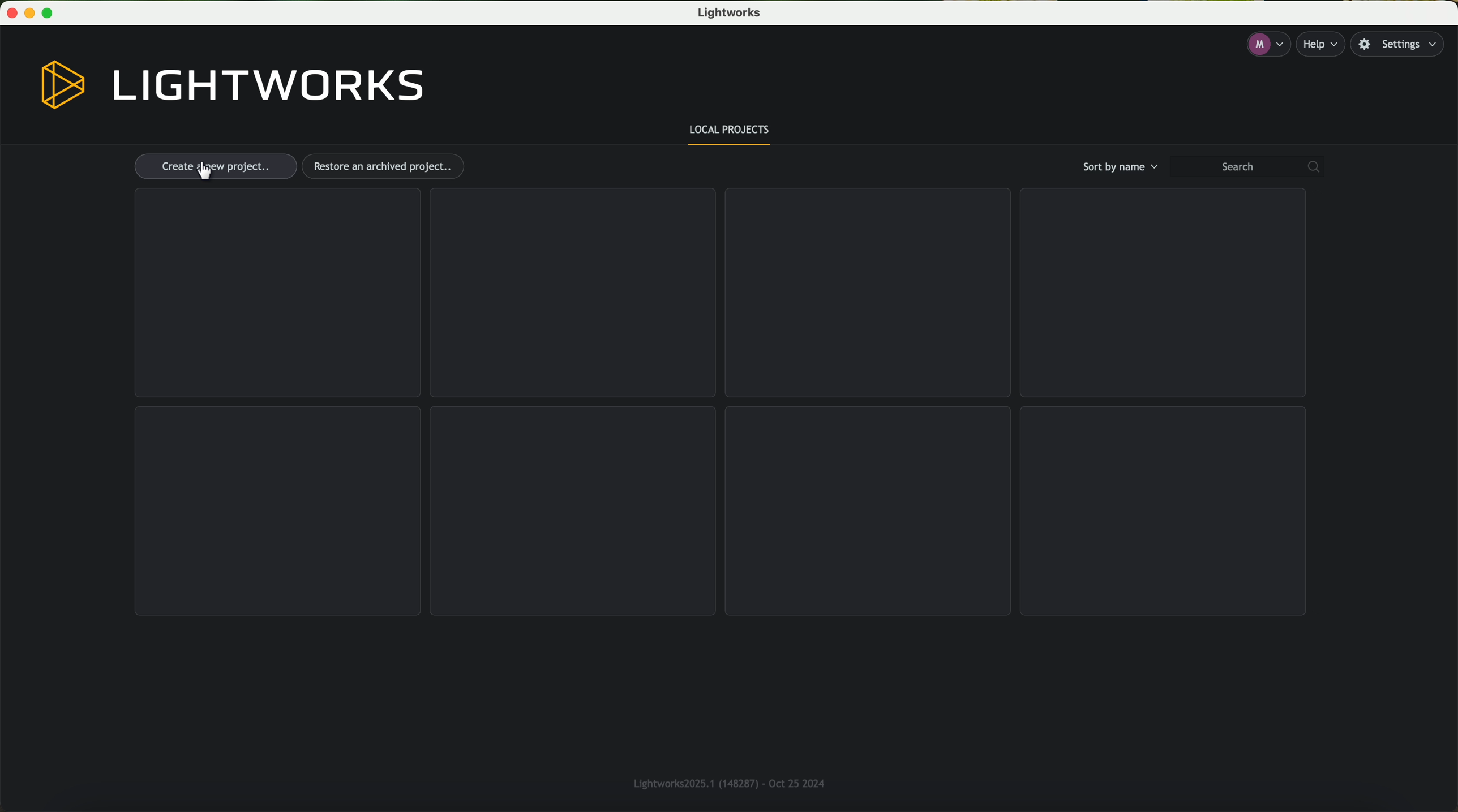  I want to click on Lightworks, so click(732, 14).